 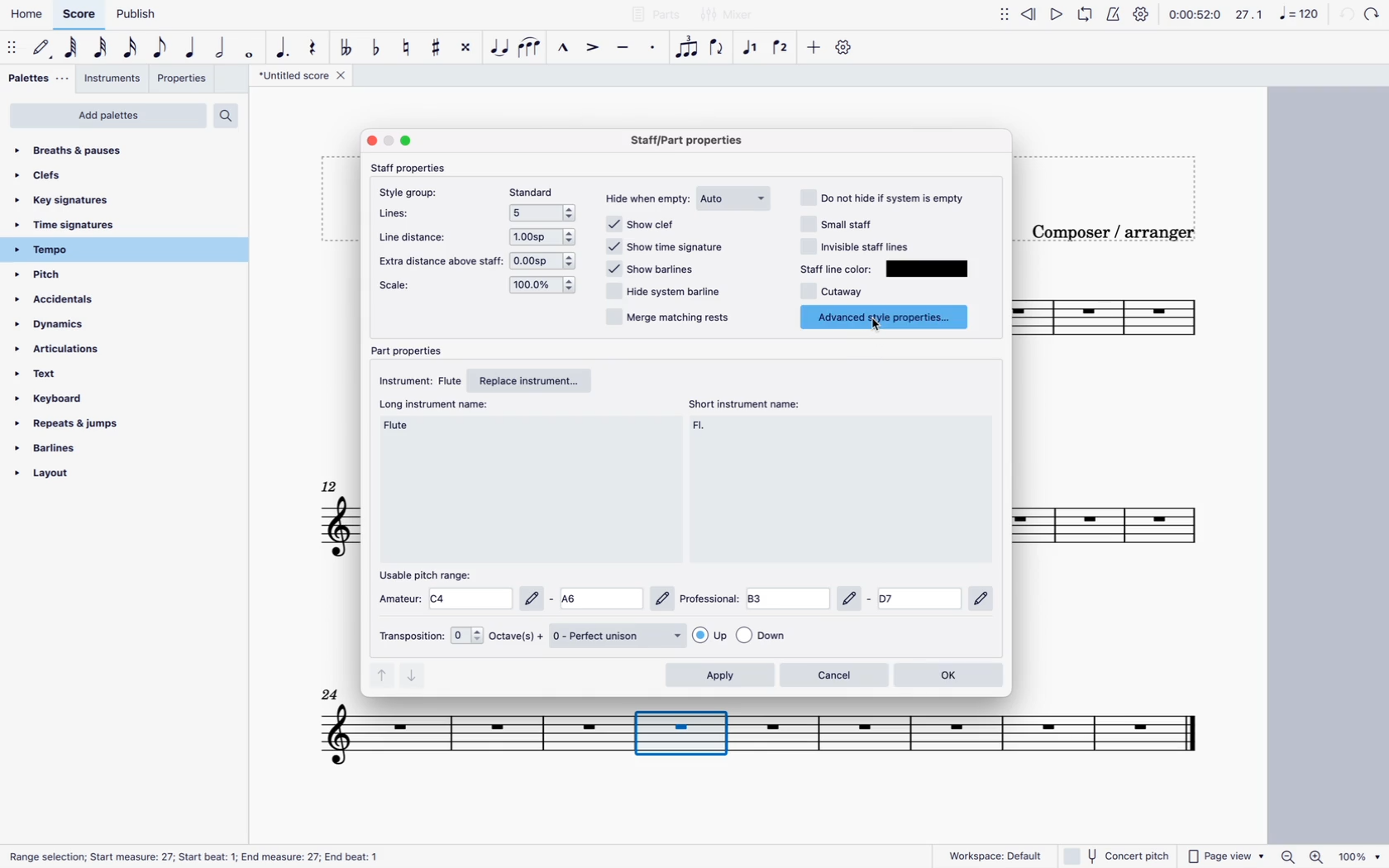 What do you see at coordinates (36, 78) in the screenshot?
I see `palettes` at bounding box center [36, 78].